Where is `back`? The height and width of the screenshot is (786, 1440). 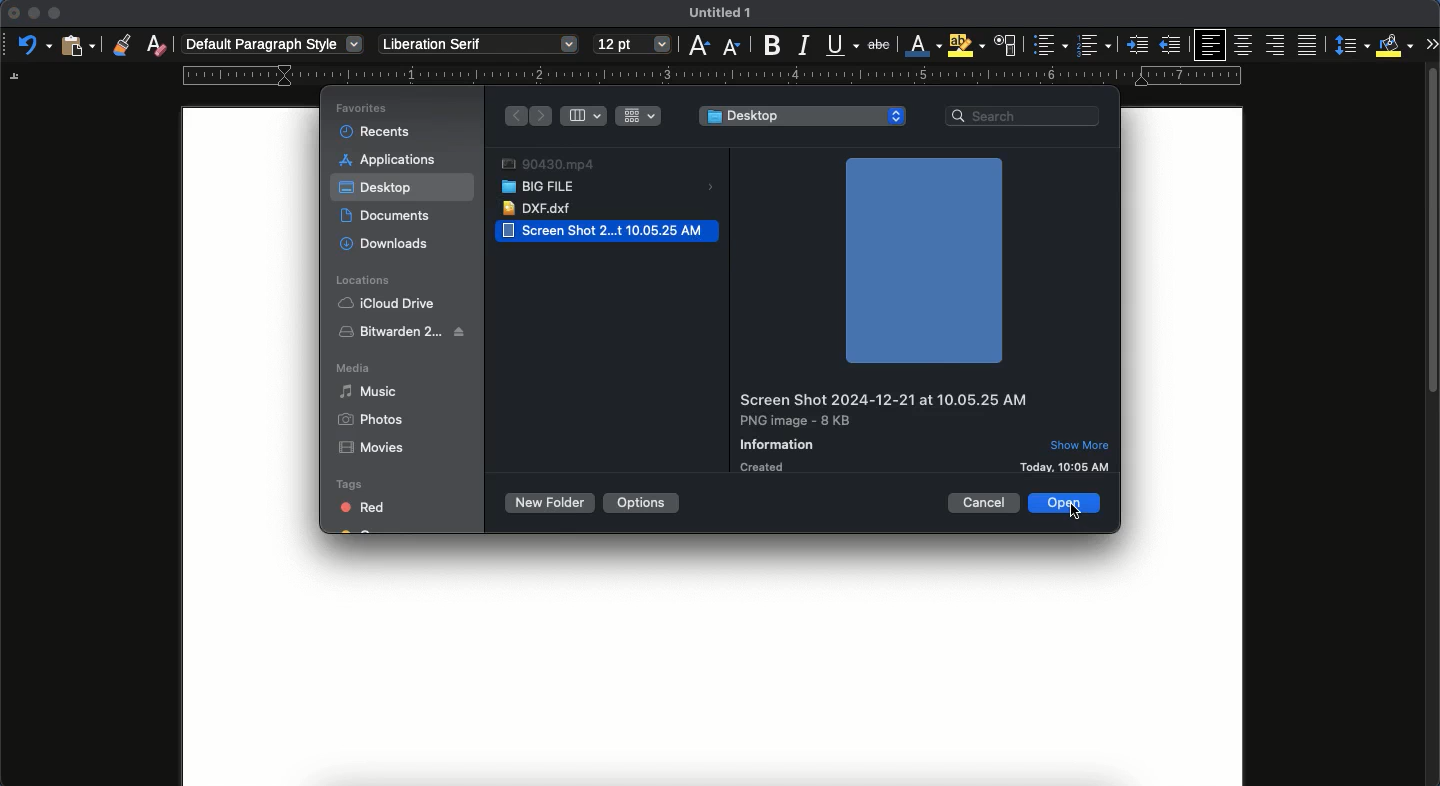 back is located at coordinates (515, 115).